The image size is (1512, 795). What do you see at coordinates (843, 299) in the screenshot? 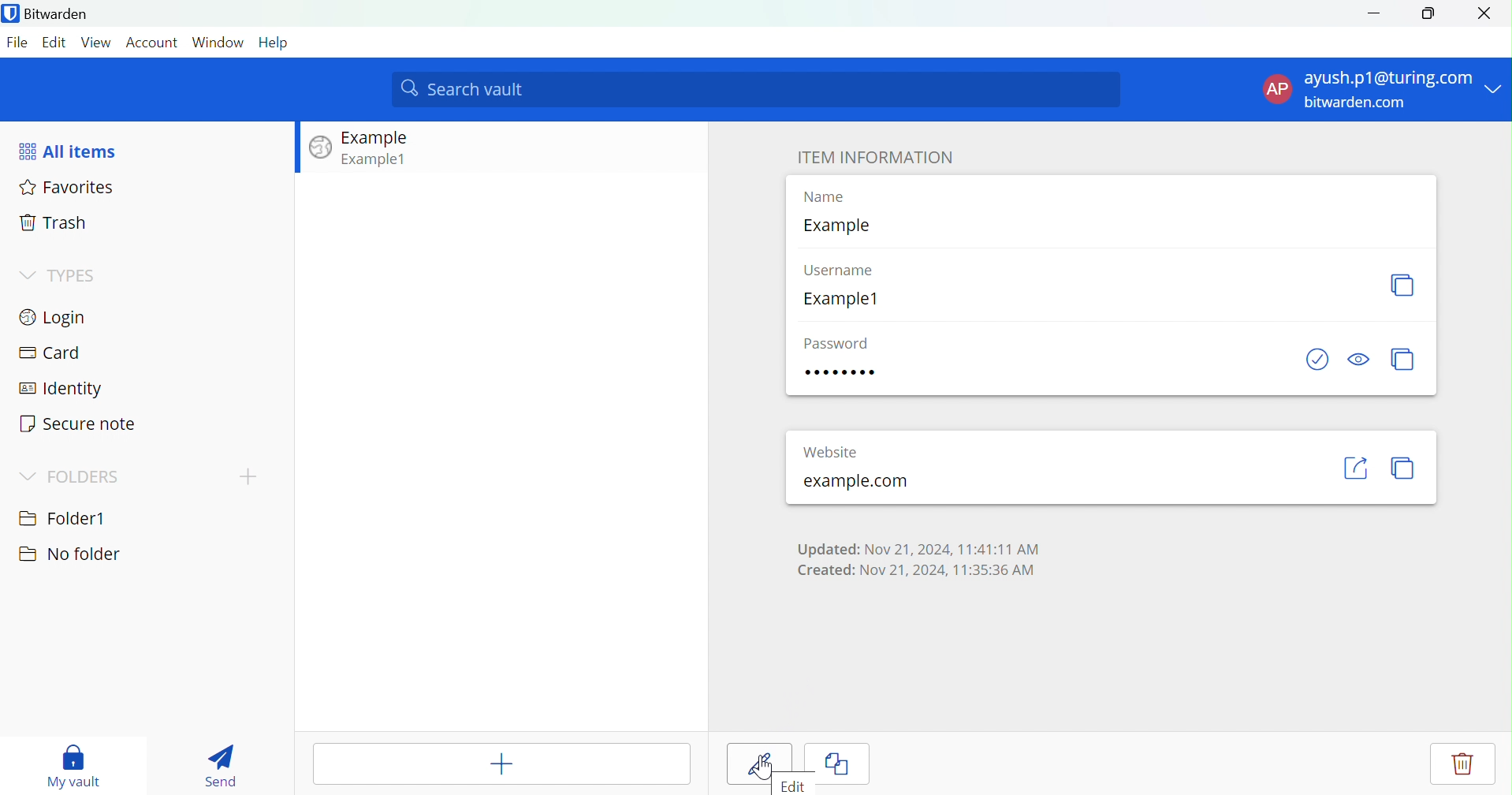
I see `Example1` at bounding box center [843, 299].